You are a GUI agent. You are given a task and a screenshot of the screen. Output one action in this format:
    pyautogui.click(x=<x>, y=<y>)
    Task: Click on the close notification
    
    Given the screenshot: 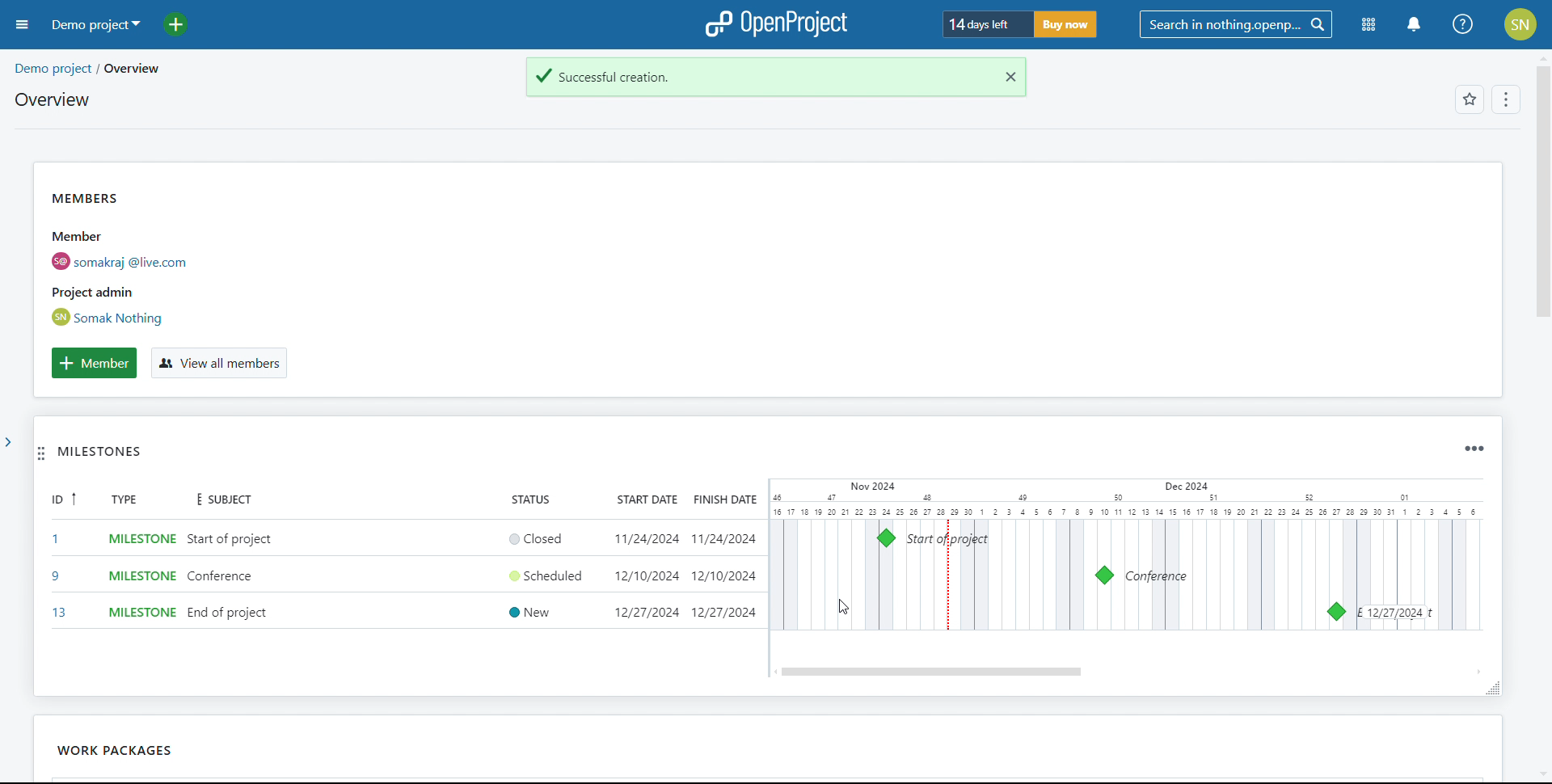 What is the action you would take?
    pyautogui.click(x=1004, y=77)
    